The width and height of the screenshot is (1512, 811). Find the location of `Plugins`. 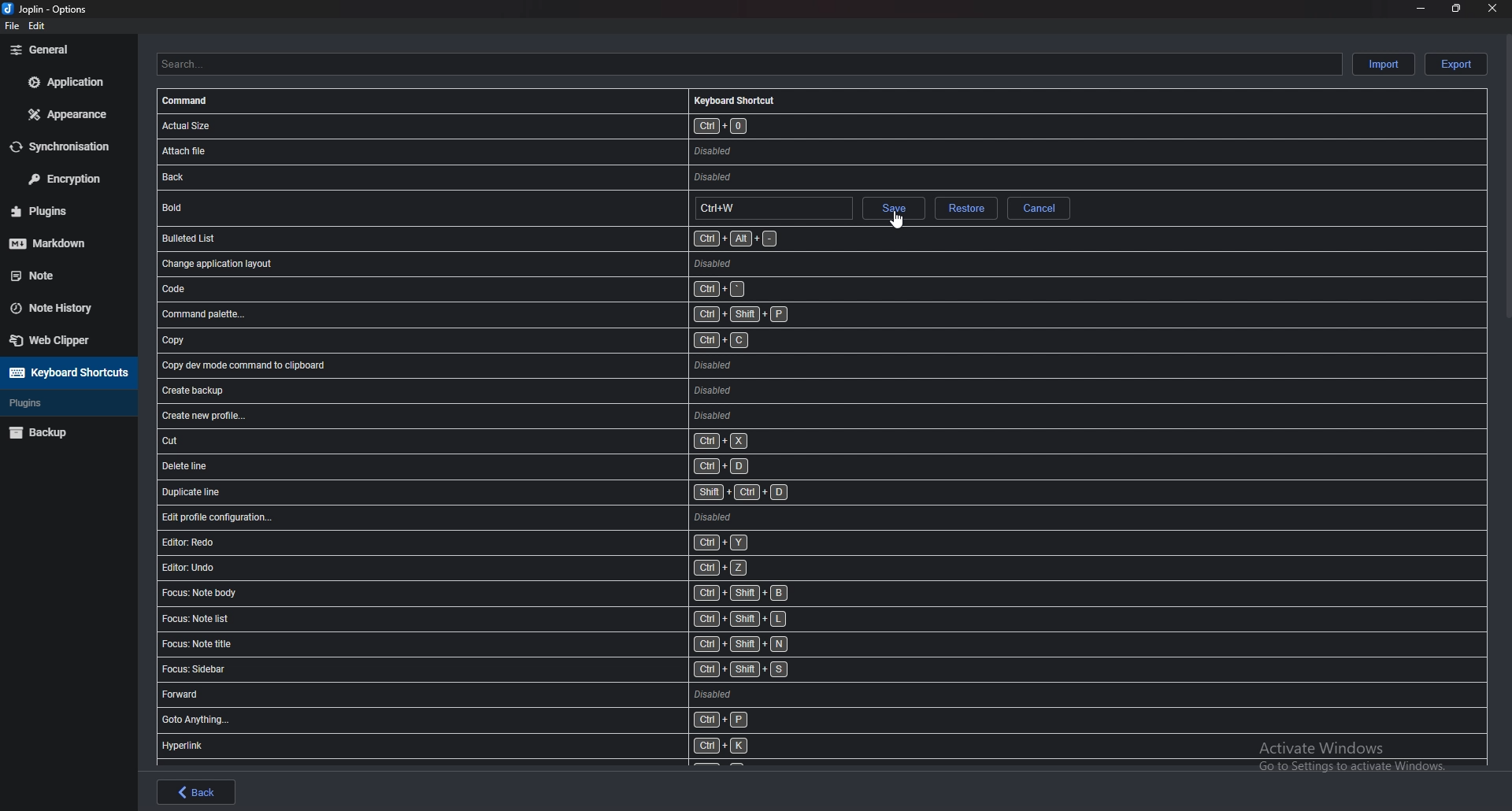

Plugins is located at coordinates (62, 402).